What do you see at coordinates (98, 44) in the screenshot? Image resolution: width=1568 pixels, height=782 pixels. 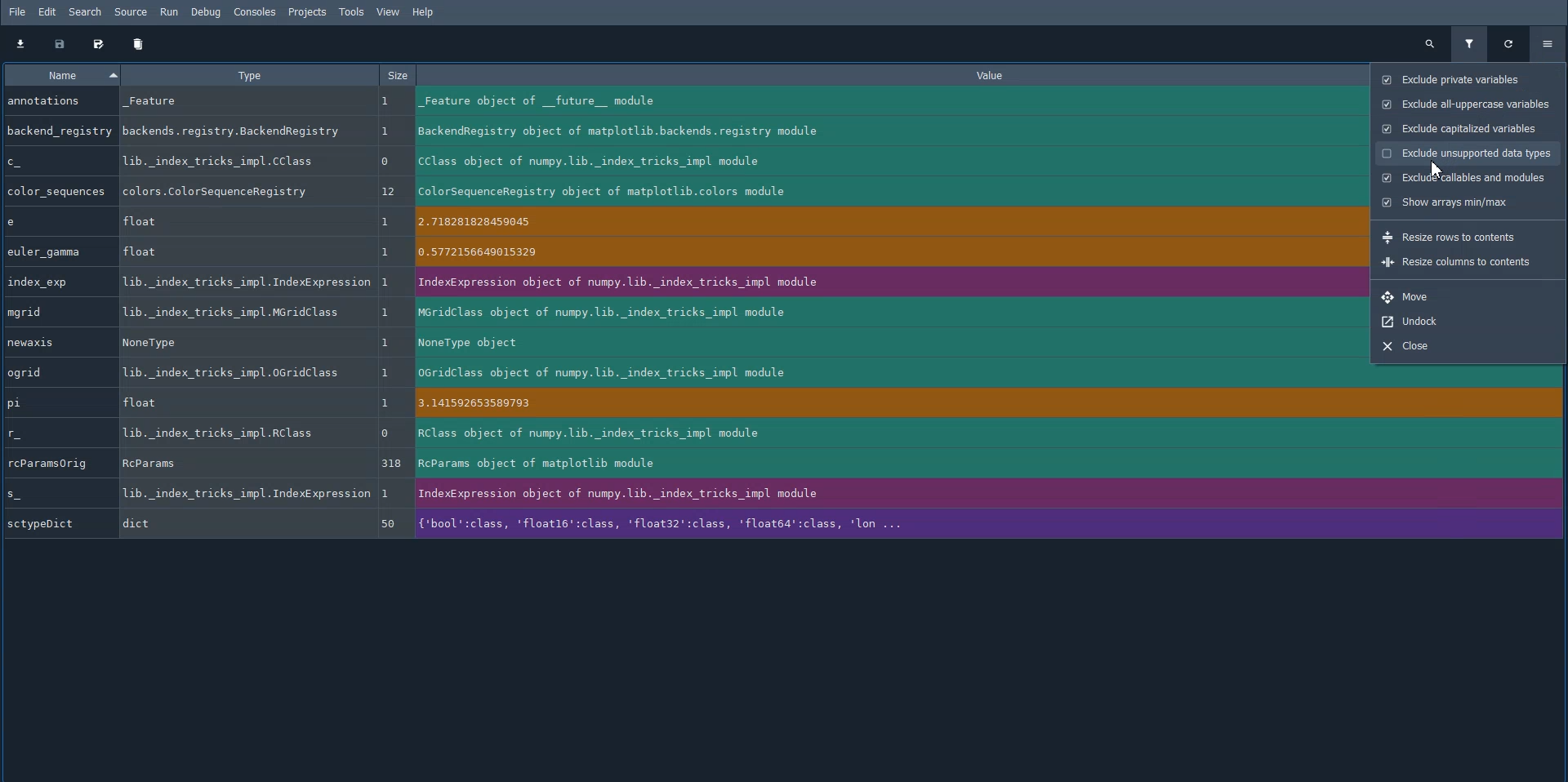 I see `Copy data as` at bounding box center [98, 44].